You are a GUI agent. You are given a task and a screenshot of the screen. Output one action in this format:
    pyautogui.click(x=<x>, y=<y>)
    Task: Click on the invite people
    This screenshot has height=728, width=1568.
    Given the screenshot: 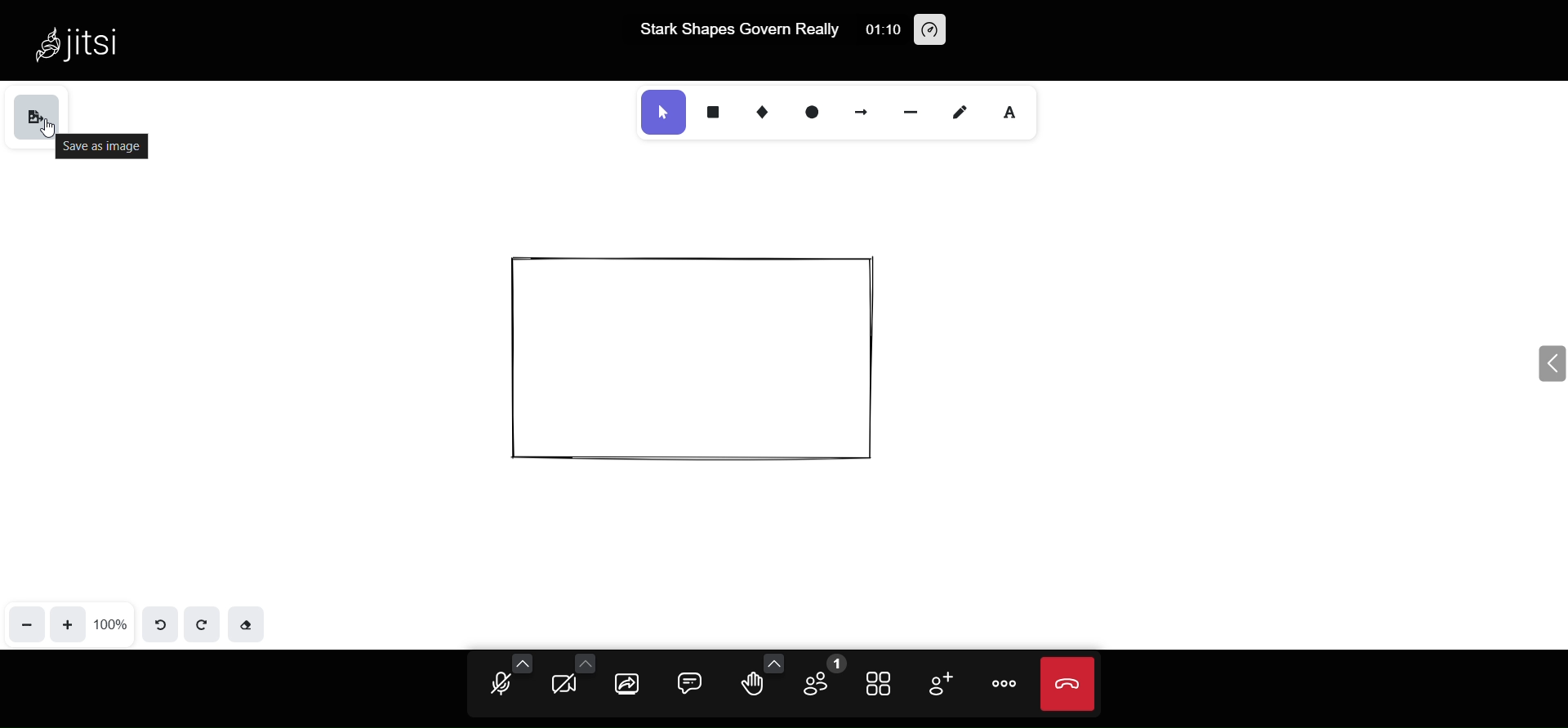 What is the action you would take?
    pyautogui.click(x=939, y=685)
    